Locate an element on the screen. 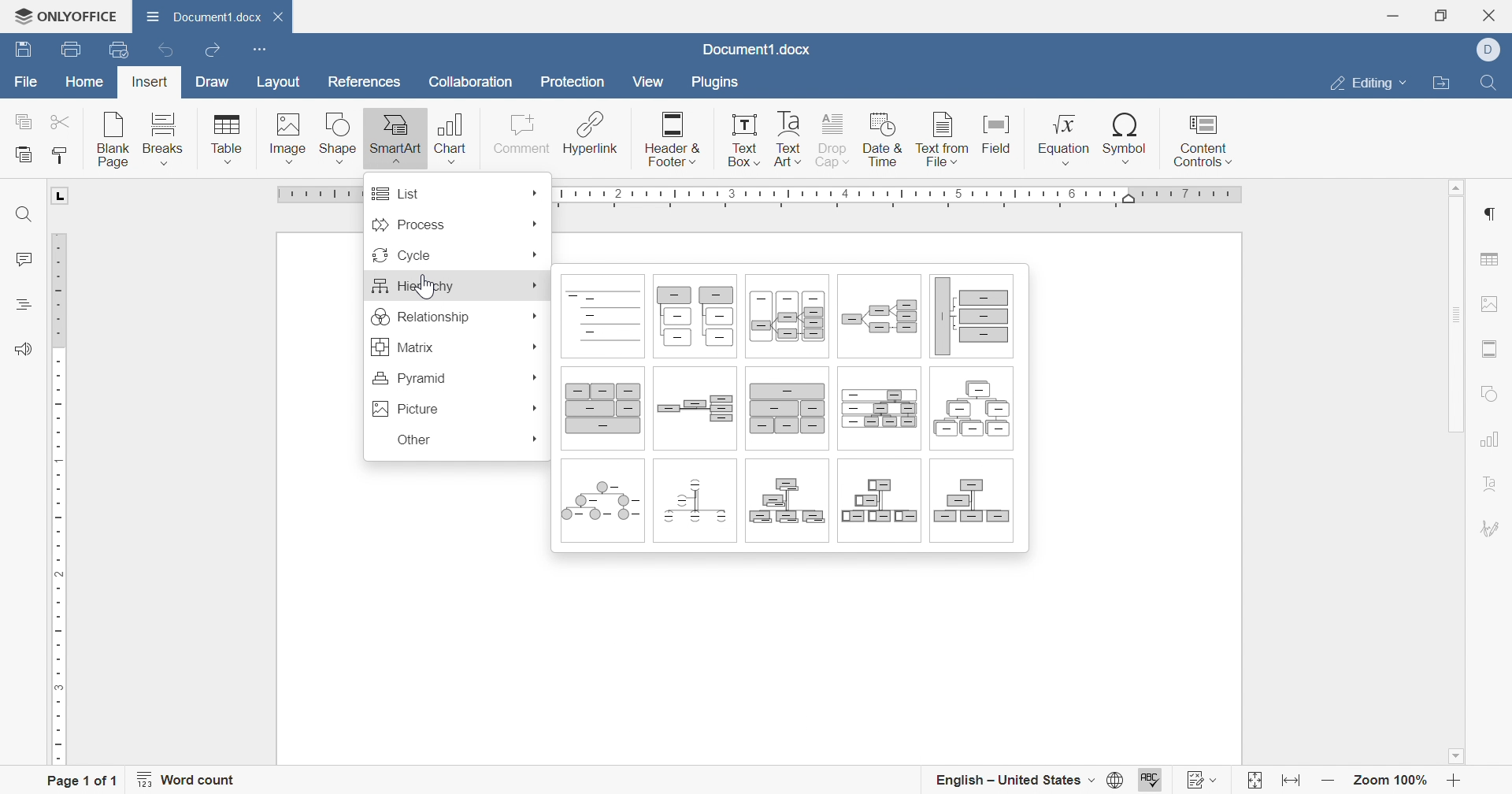 The width and height of the screenshot is (1512, 794). Process is located at coordinates (409, 225).